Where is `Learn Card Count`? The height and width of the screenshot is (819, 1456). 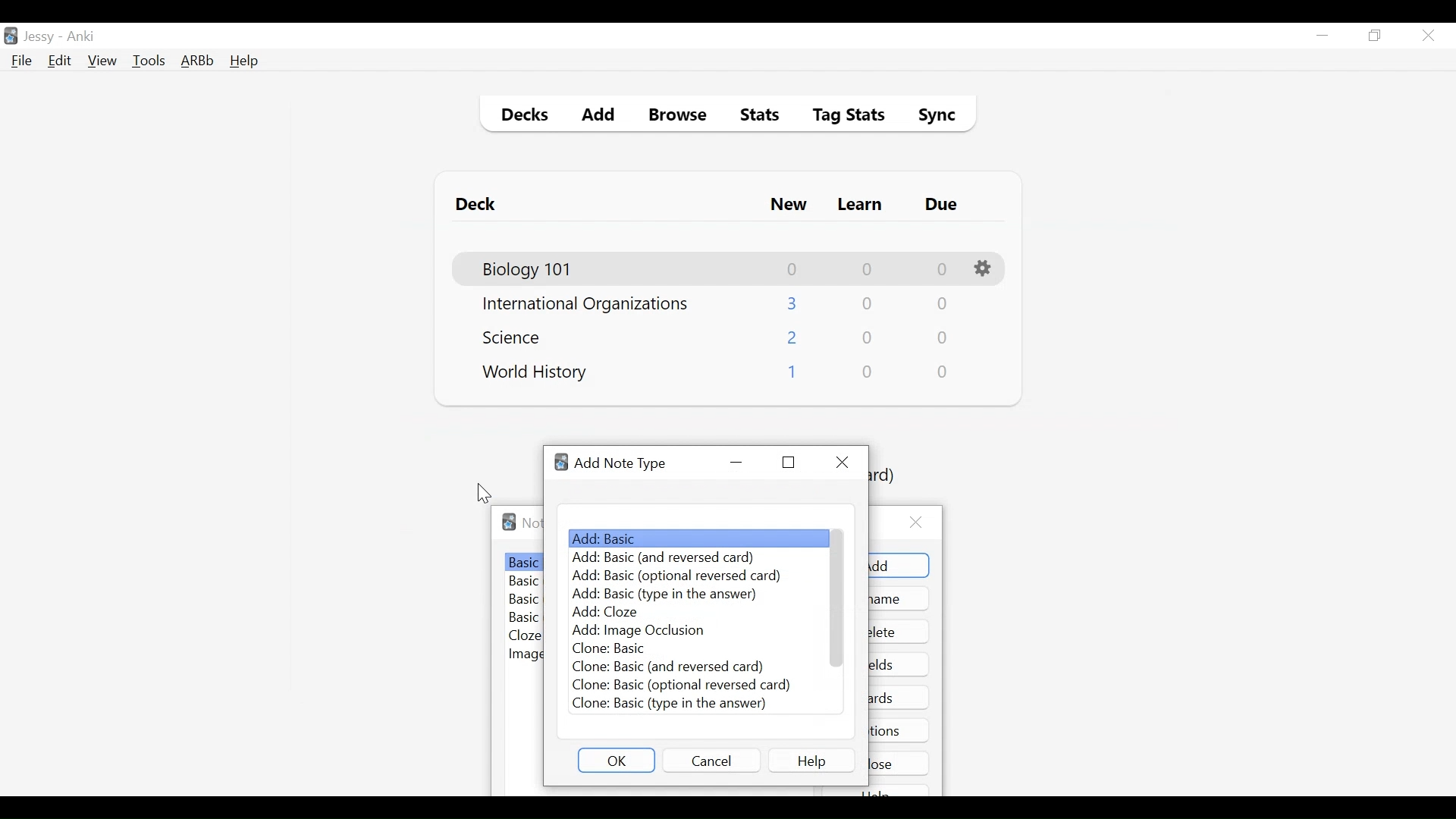
Learn Card Count is located at coordinates (868, 338).